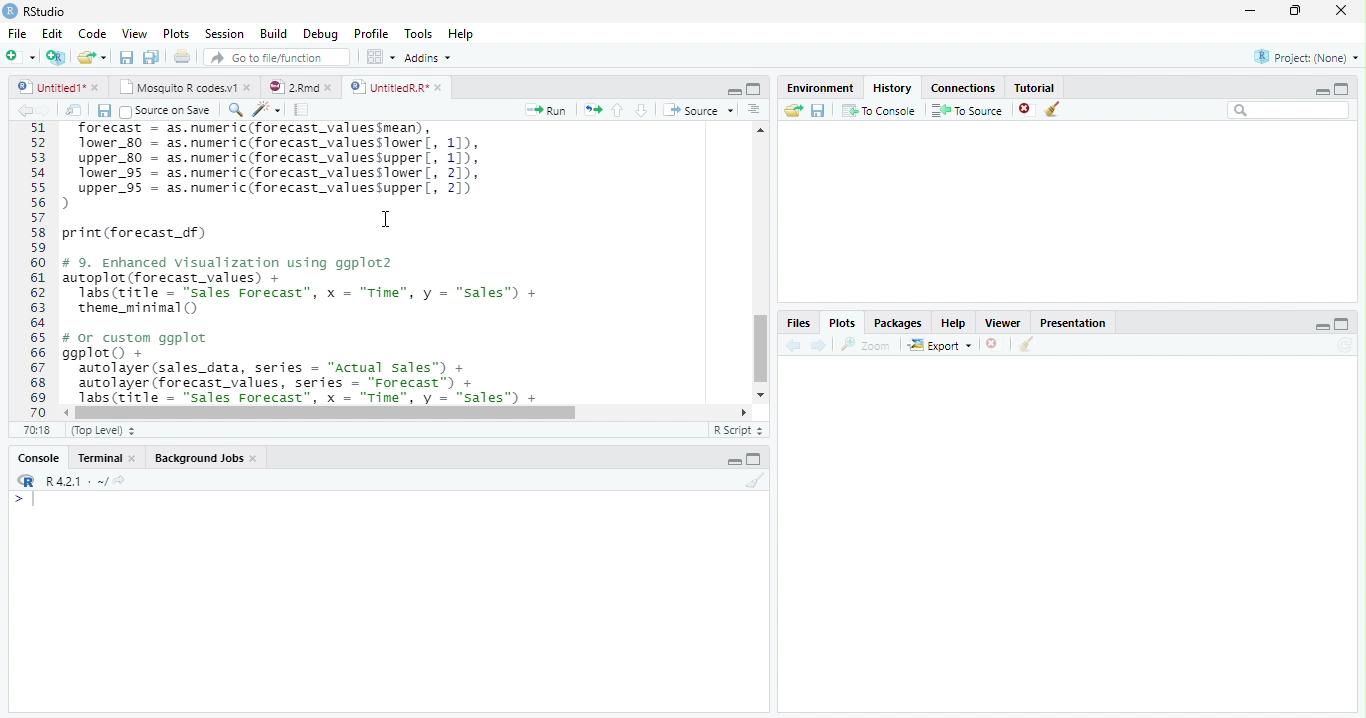  What do you see at coordinates (185, 88) in the screenshot?
I see `Mosquito R Codes.v1` at bounding box center [185, 88].